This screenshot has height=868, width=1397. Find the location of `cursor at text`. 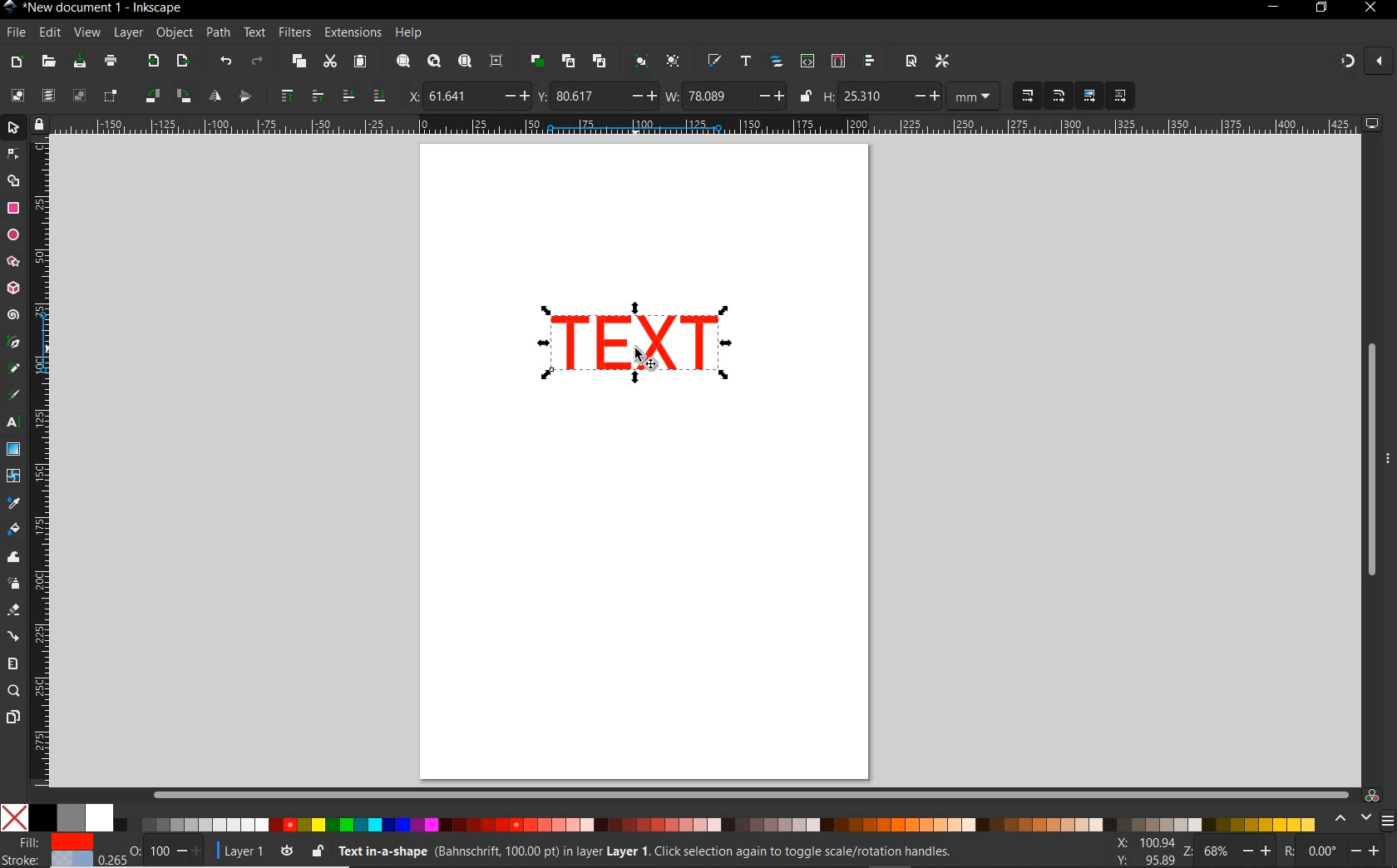

cursor at text is located at coordinates (647, 359).